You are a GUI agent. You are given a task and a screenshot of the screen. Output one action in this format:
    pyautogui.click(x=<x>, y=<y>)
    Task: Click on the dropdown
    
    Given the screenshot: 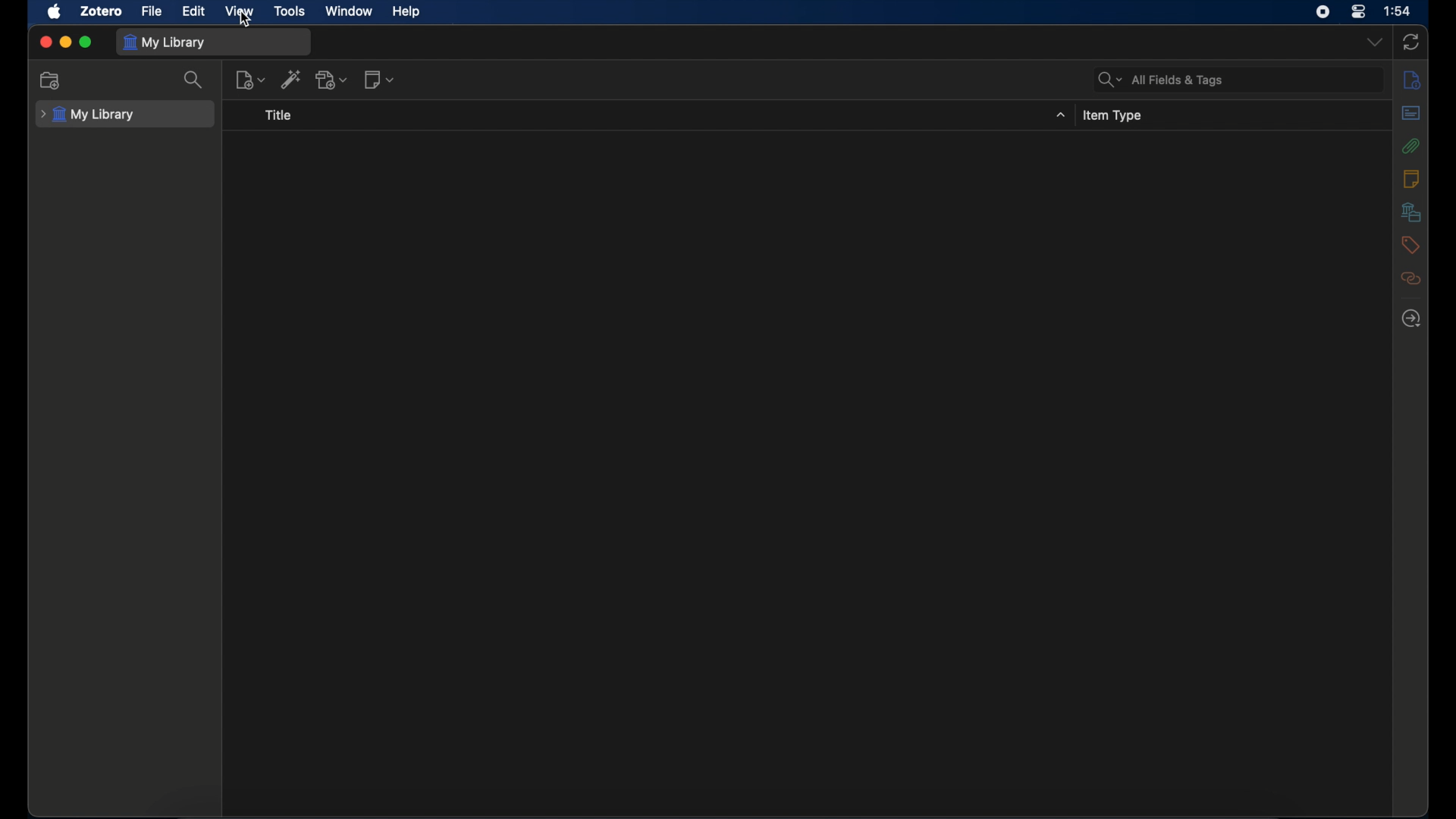 What is the action you would take?
    pyautogui.click(x=1061, y=115)
    